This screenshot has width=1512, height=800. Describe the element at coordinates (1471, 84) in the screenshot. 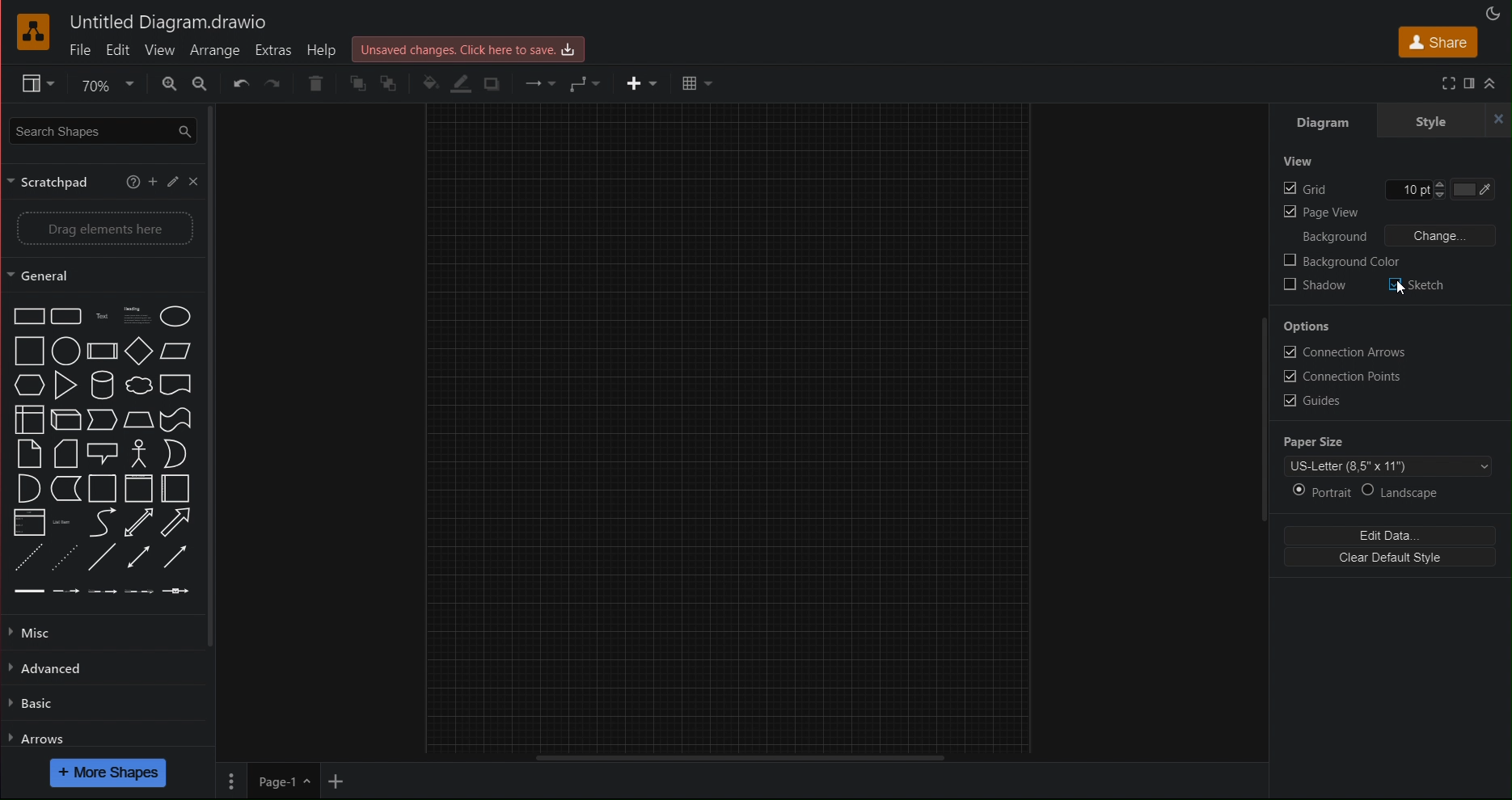

I see `Format` at that location.